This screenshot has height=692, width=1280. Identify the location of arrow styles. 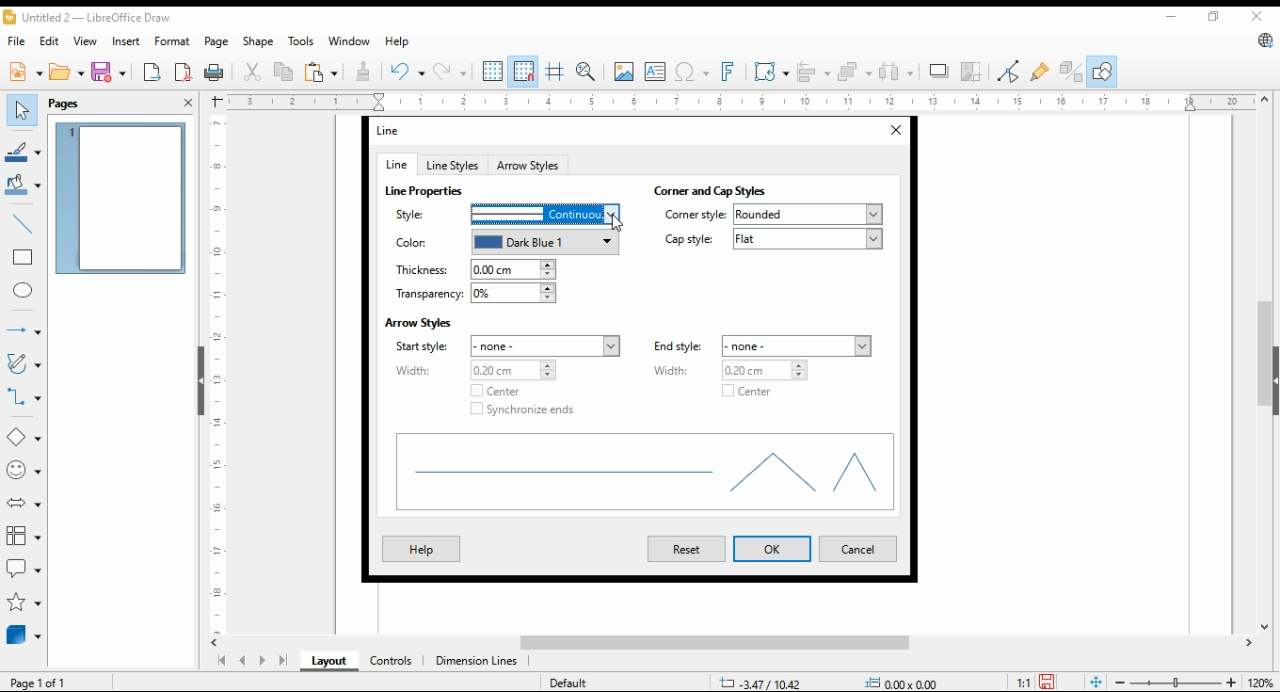
(529, 164).